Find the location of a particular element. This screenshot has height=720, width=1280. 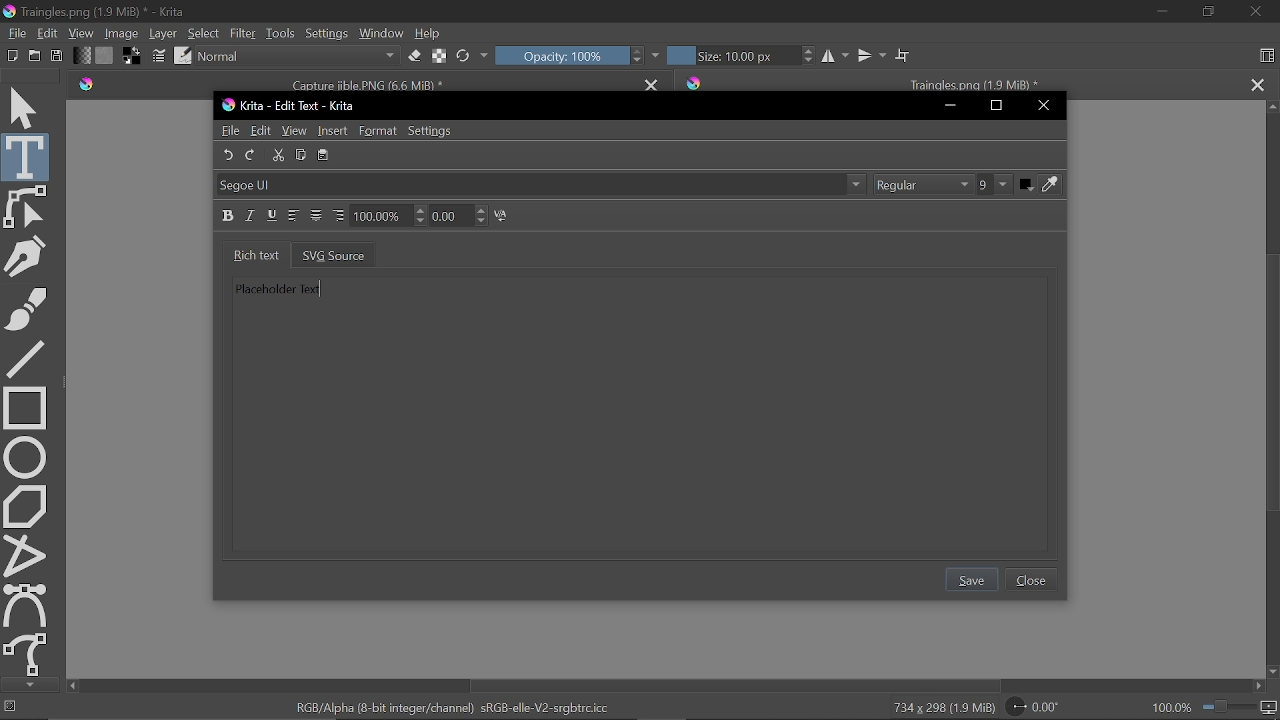

No selection is located at coordinates (11, 709).